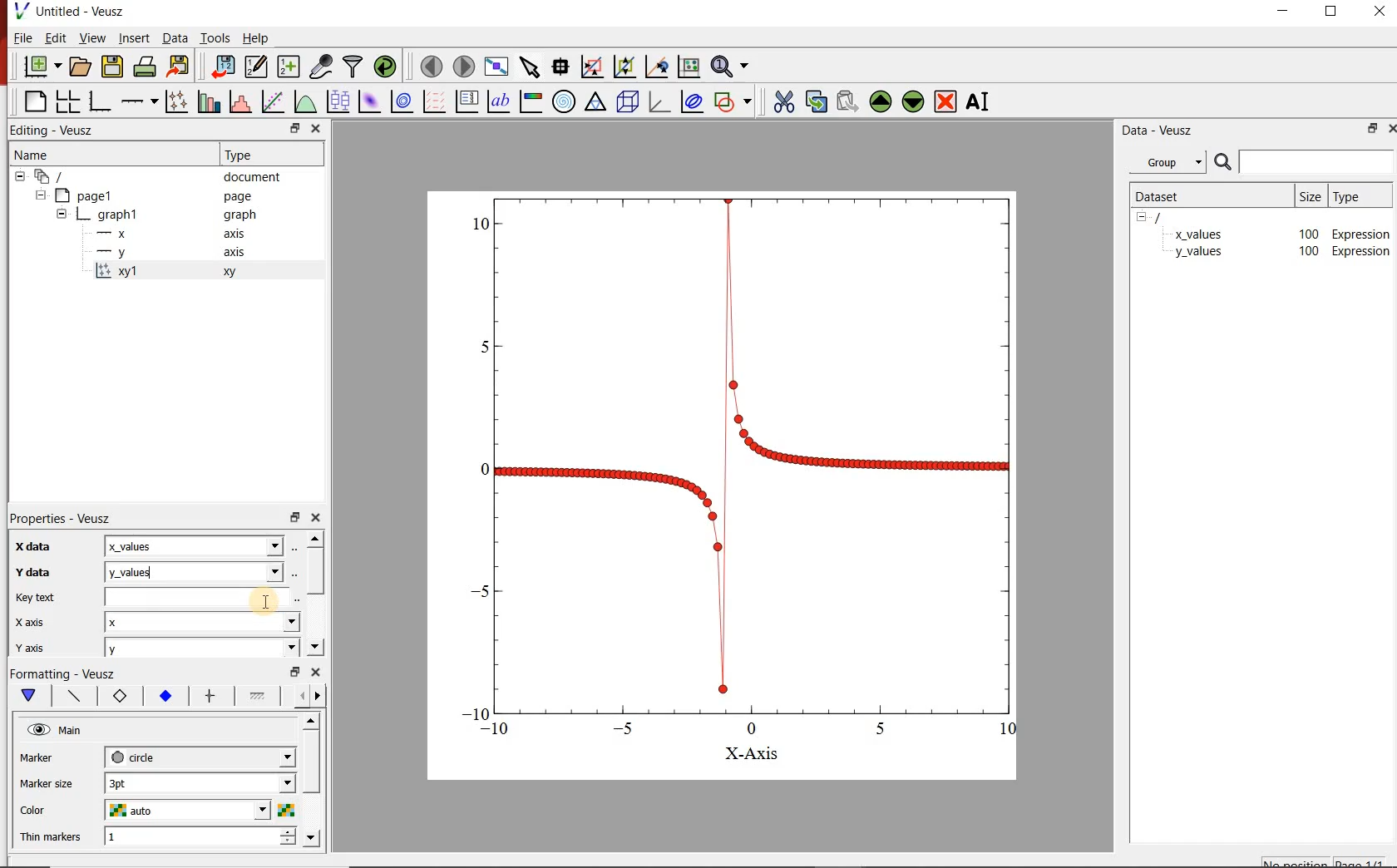  Describe the element at coordinates (214, 697) in the screenshot. I see `error bar line` at that location.